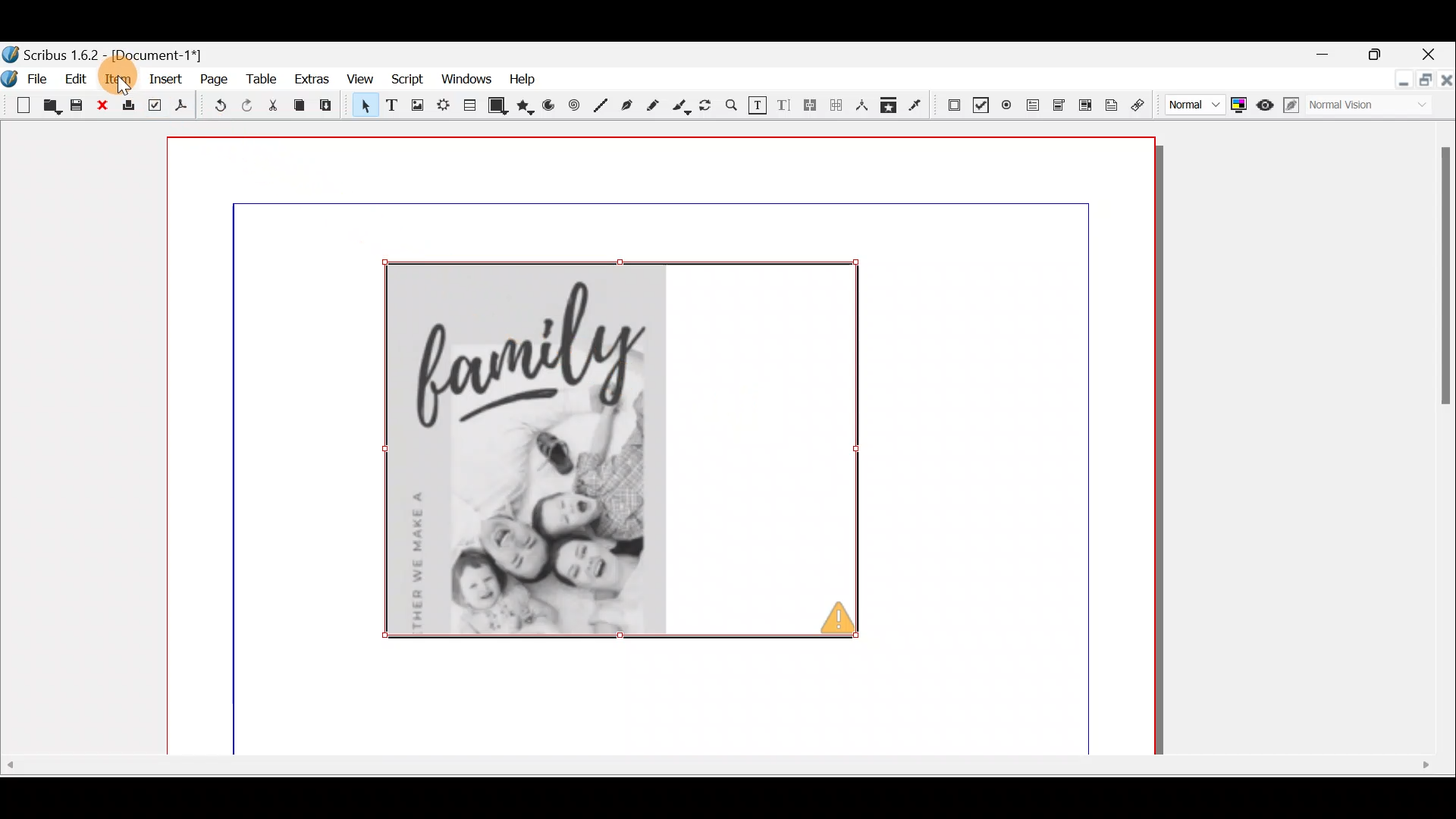 Image resolution: width=1456 pixels, height=819 pixels. What do you see at coordinates (1423, 83) in the screenshot?
I see `Maximise` at bounding box center [1423, 83].